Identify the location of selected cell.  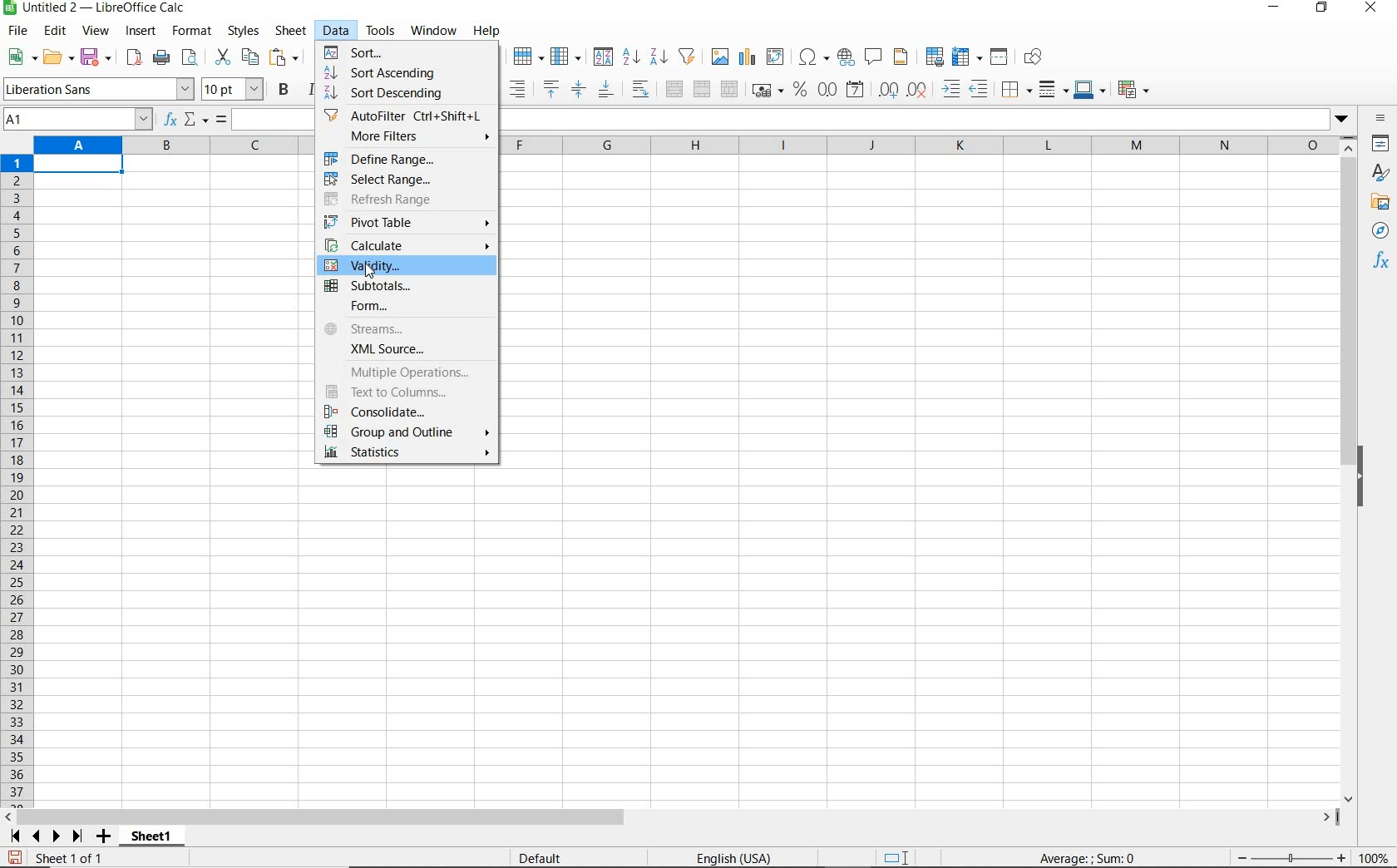
(78, 166).